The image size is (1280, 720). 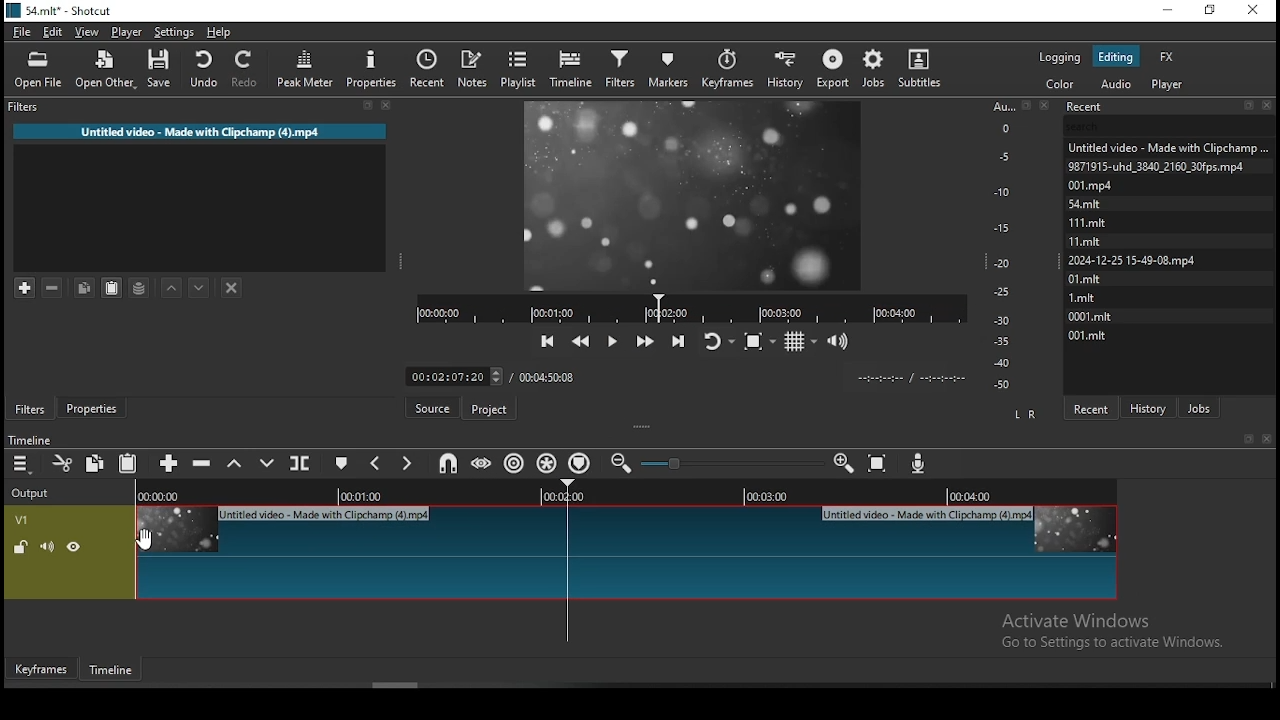 I want to click on files, so click(x=1156, y=165).